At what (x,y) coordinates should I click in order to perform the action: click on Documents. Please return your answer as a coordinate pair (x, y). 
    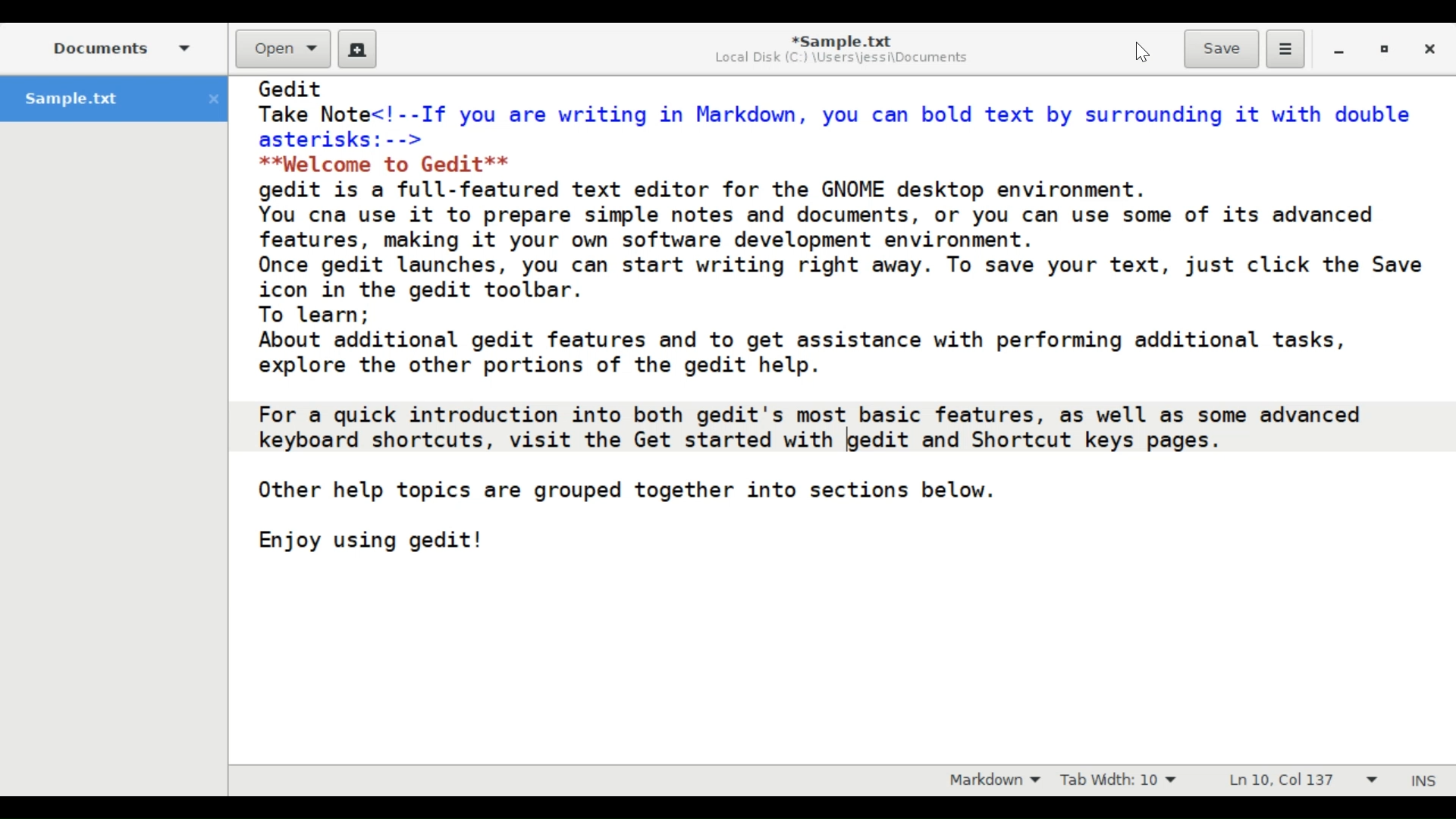
    Looking at the image, I should click on (121, 50).